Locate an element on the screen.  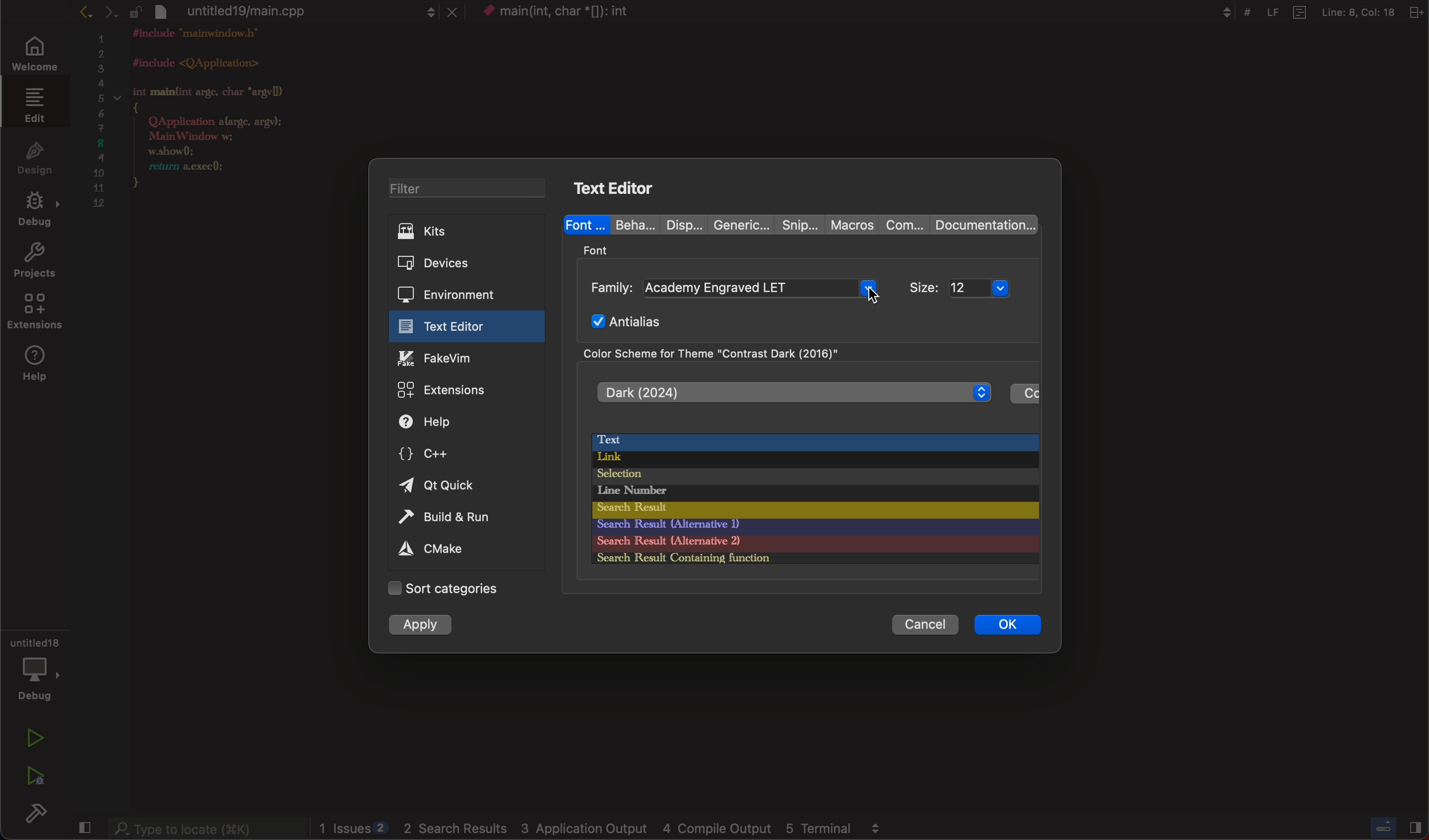
text editor is located at coordinates (459, 326).